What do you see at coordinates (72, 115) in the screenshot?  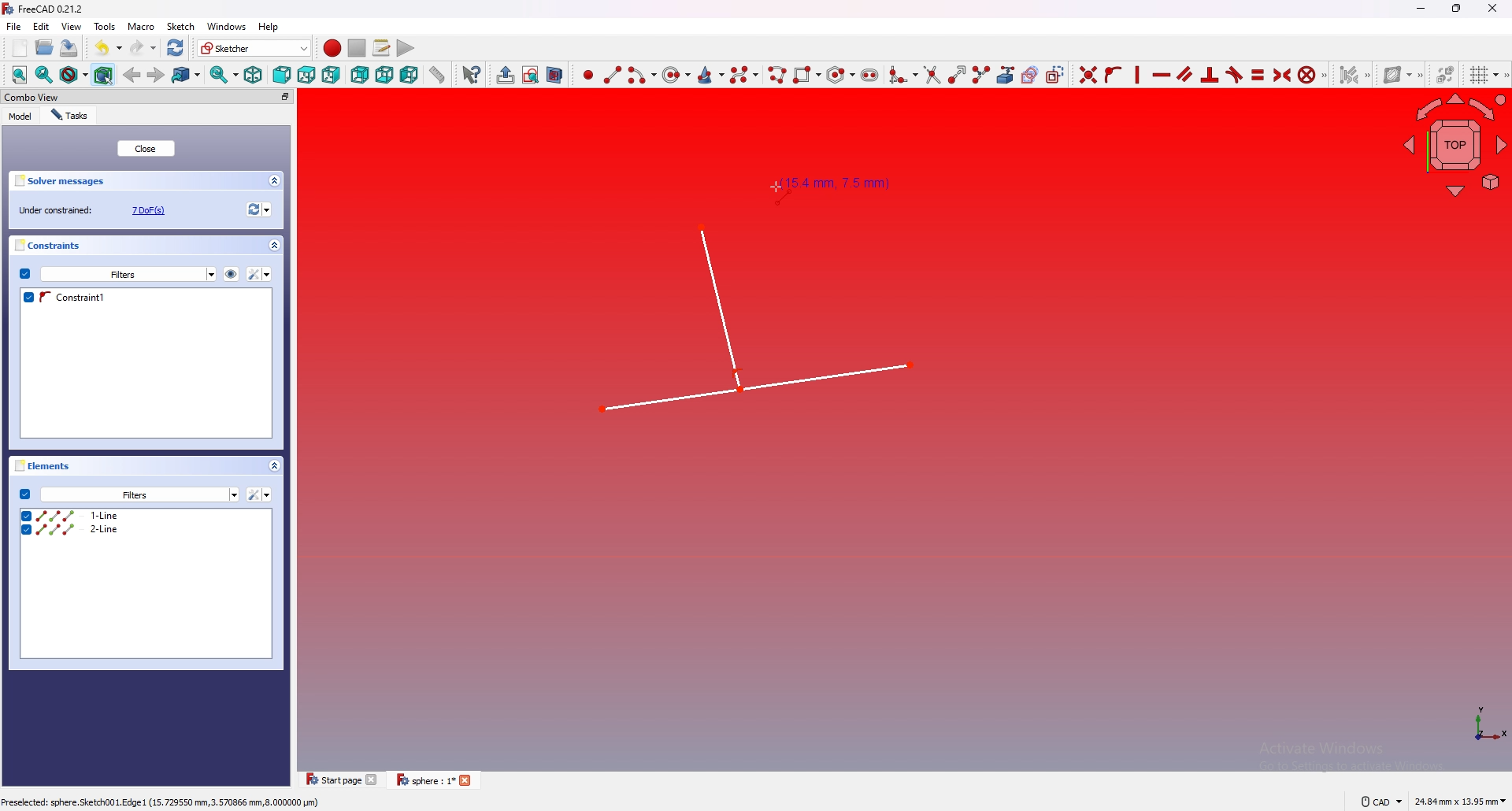 I see `Tasks` at bounding box center [72, 115].